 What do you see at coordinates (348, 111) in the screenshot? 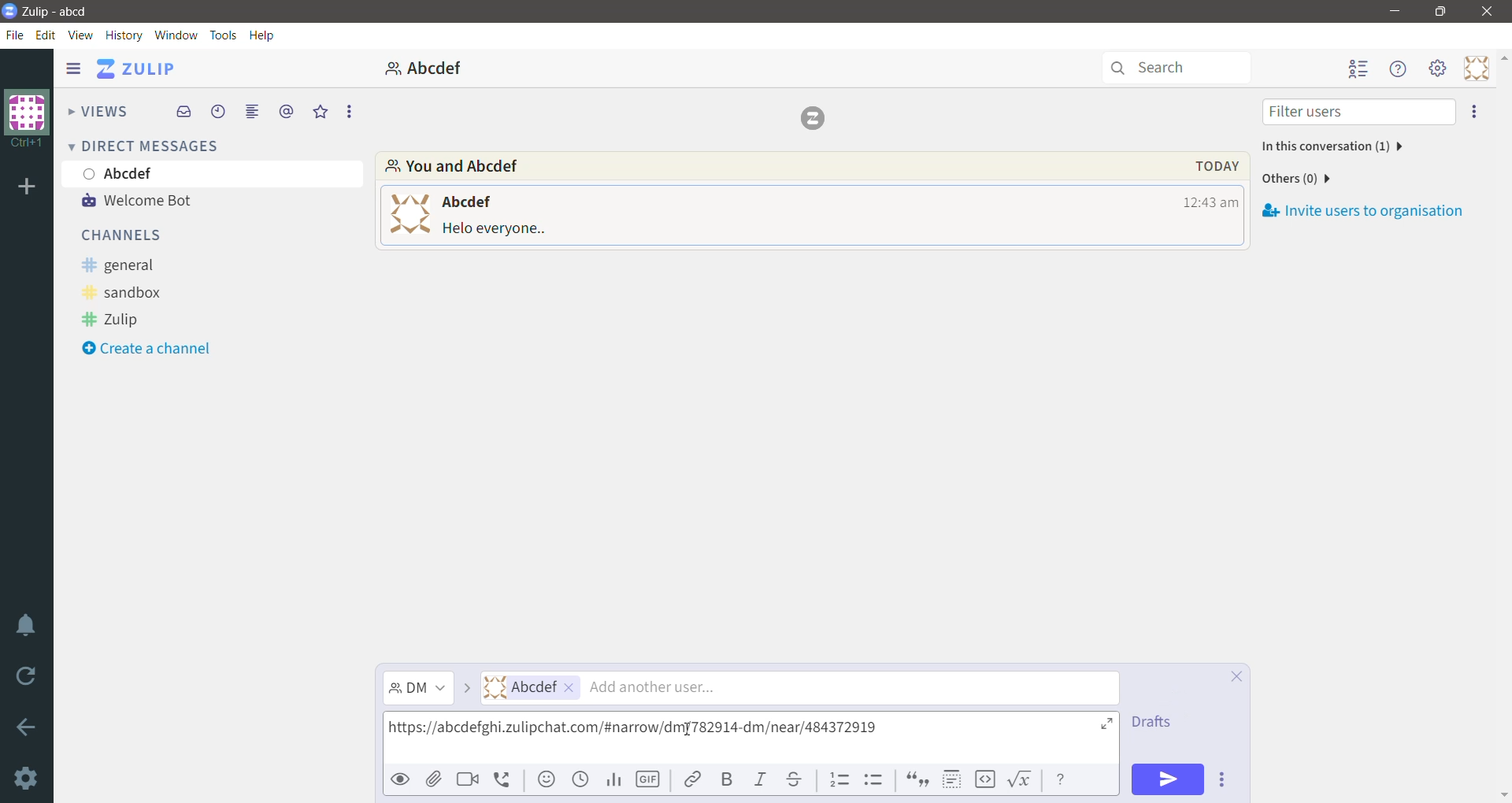
I see `More Options` at bounding box center [348, 111].